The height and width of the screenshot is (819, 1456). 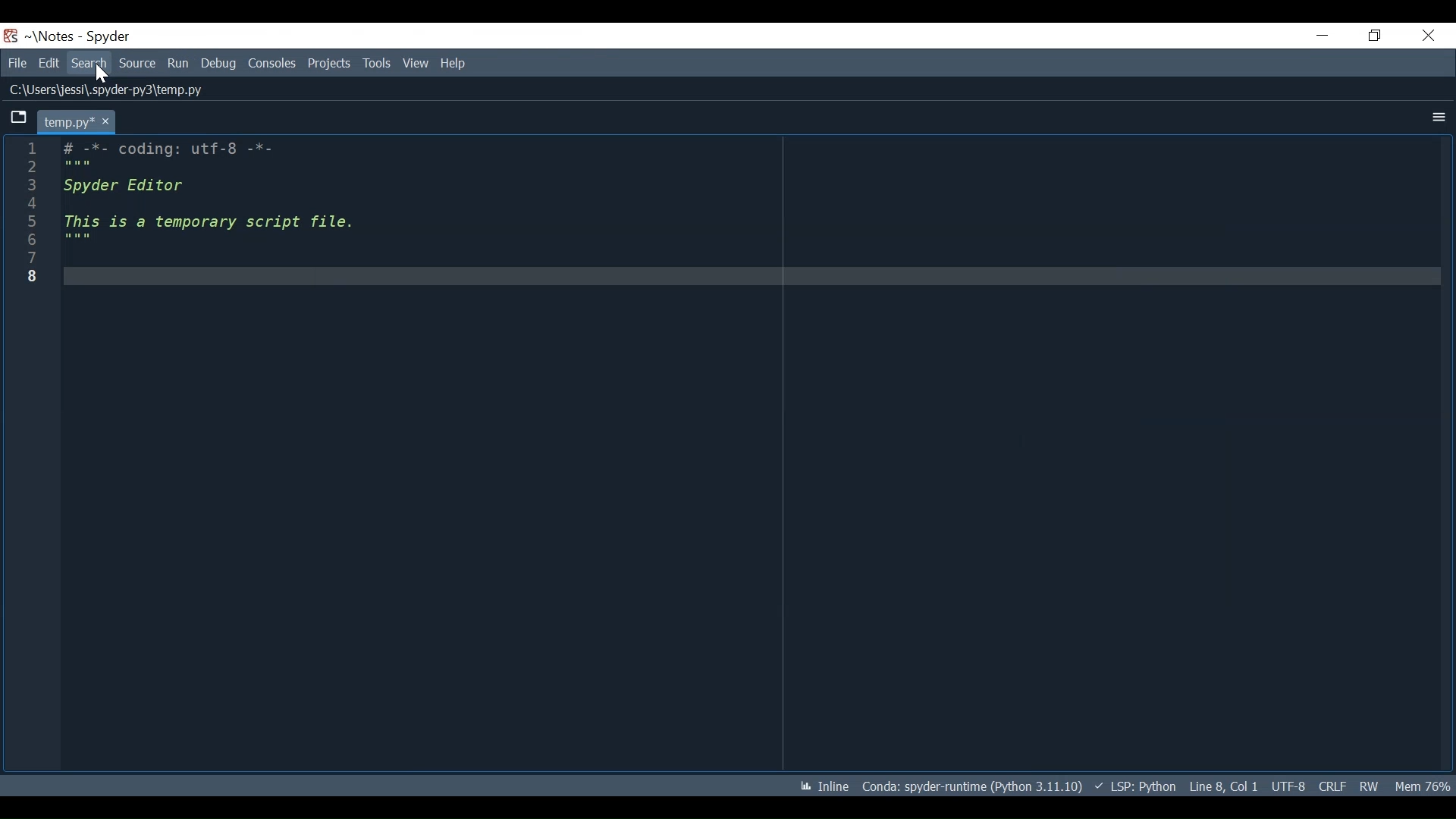 I want to click on Search, so click(x=80, y=63).